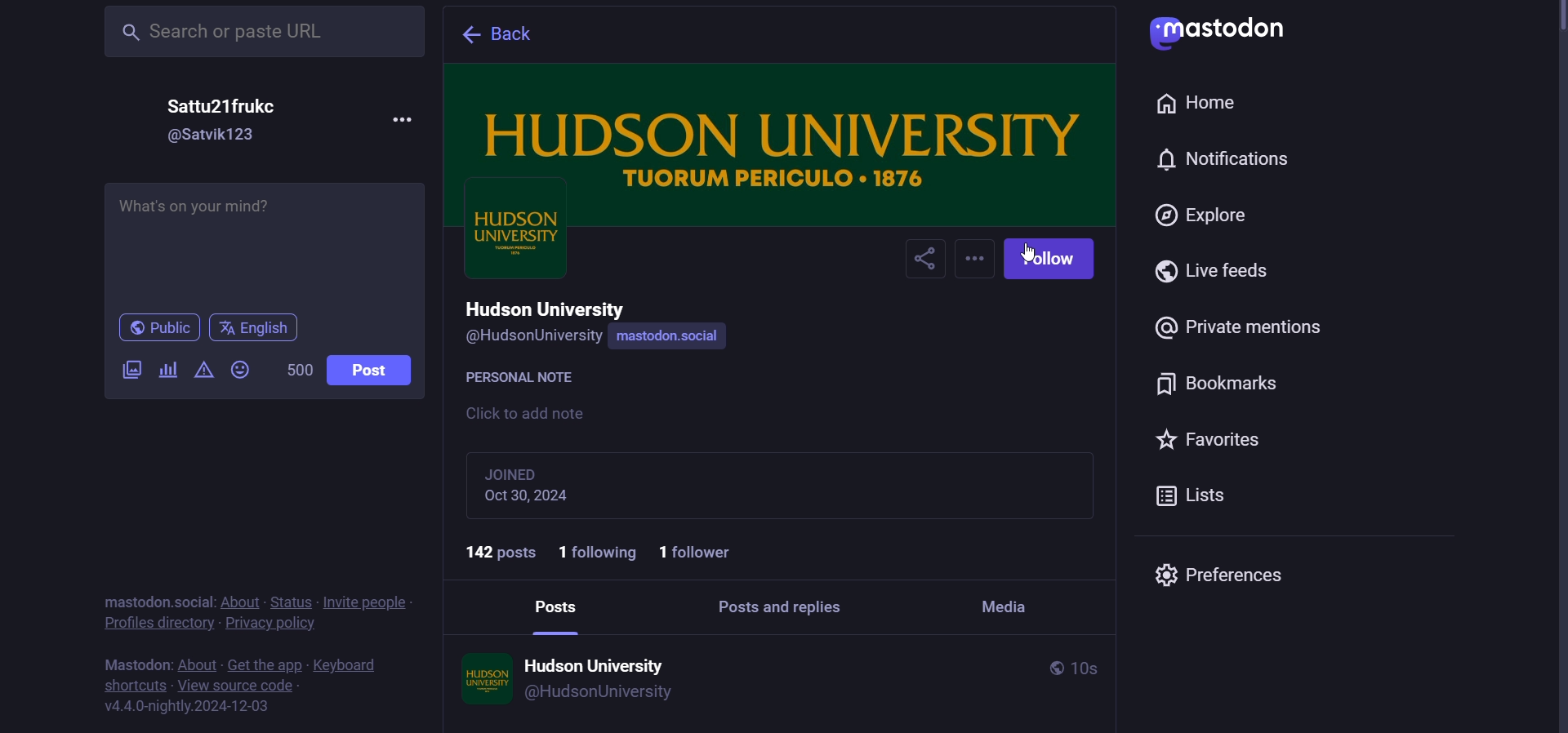 The width and height of the screenshot is (1568, 733). What do you see at coordinates (1204, 218) in the screenshot?
I see `explore` at bounding box center [1204, 218].